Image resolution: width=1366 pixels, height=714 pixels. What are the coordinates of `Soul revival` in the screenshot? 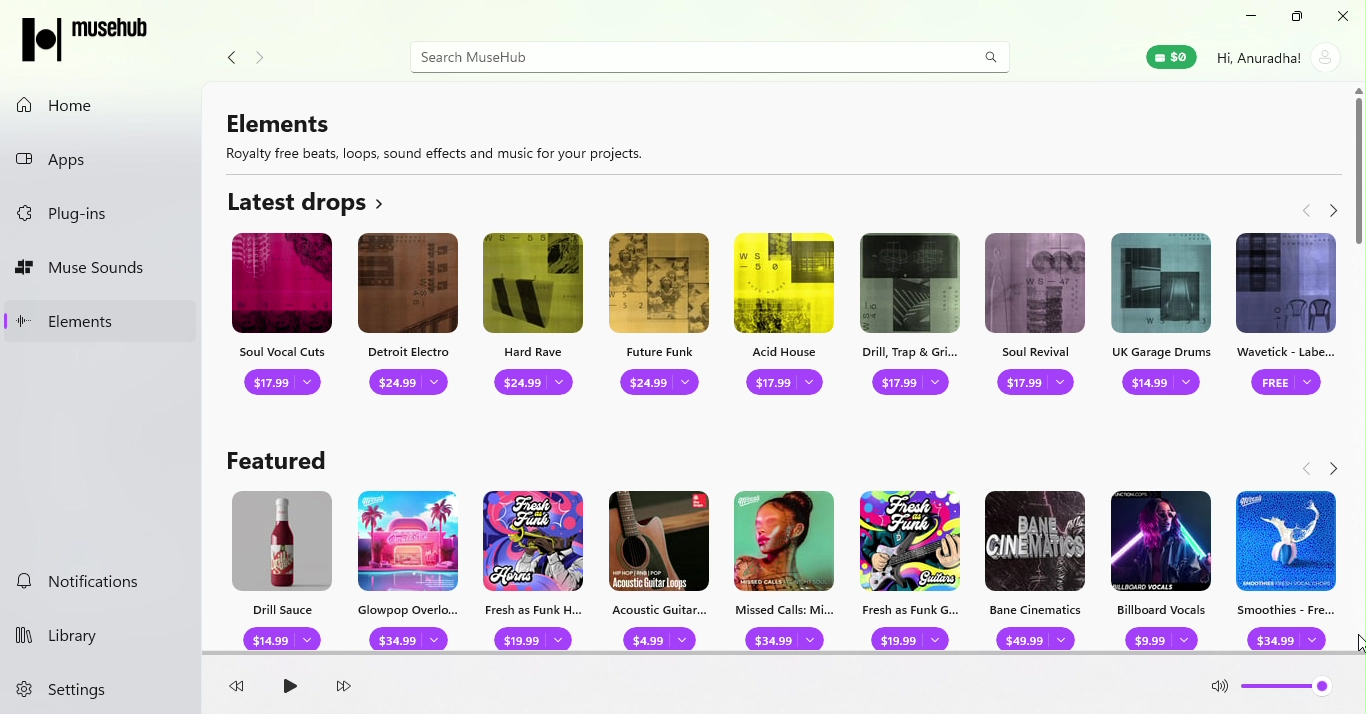 It's located at (1037, 318).